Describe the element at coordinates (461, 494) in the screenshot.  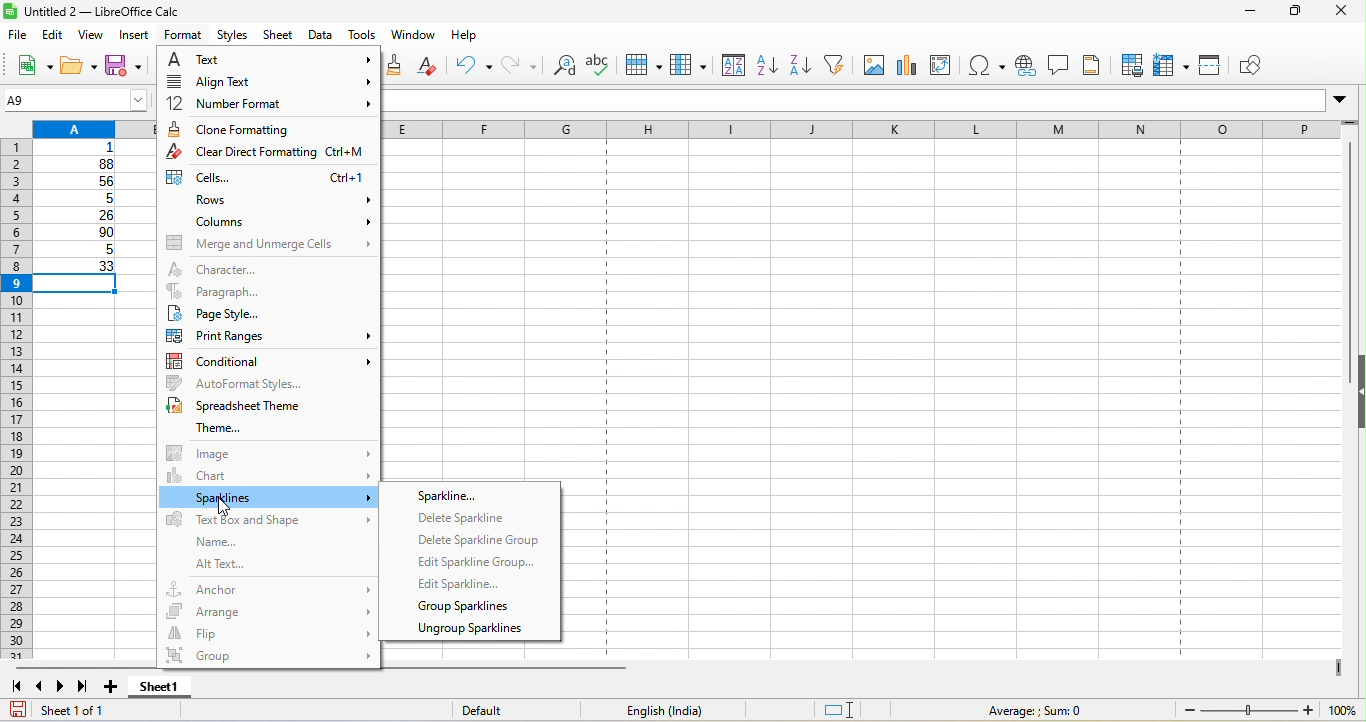
I see `sparkline` at that location.